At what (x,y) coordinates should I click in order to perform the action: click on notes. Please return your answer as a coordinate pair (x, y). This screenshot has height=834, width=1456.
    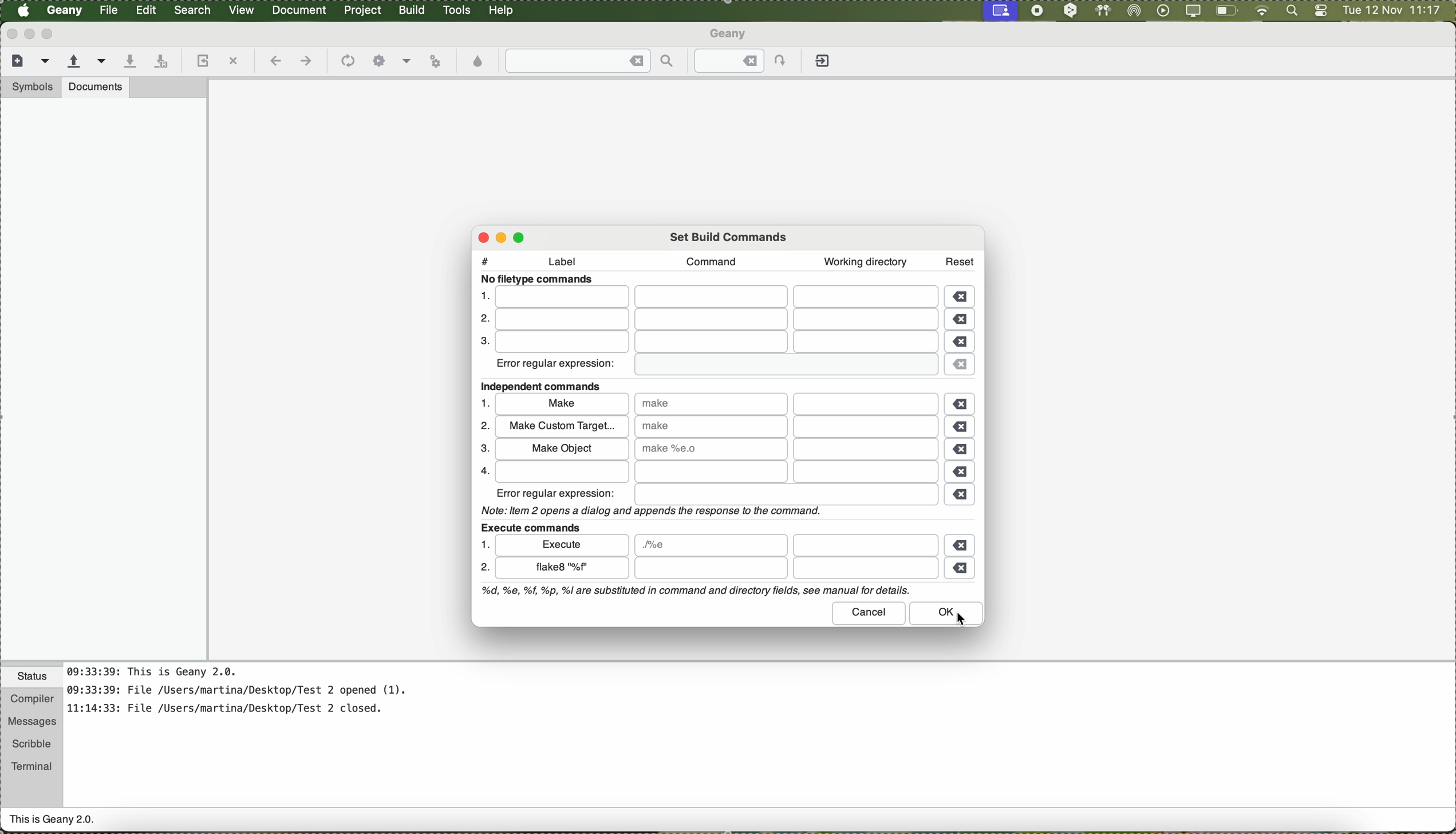
    Looking at the image, I should click on (251, 696).